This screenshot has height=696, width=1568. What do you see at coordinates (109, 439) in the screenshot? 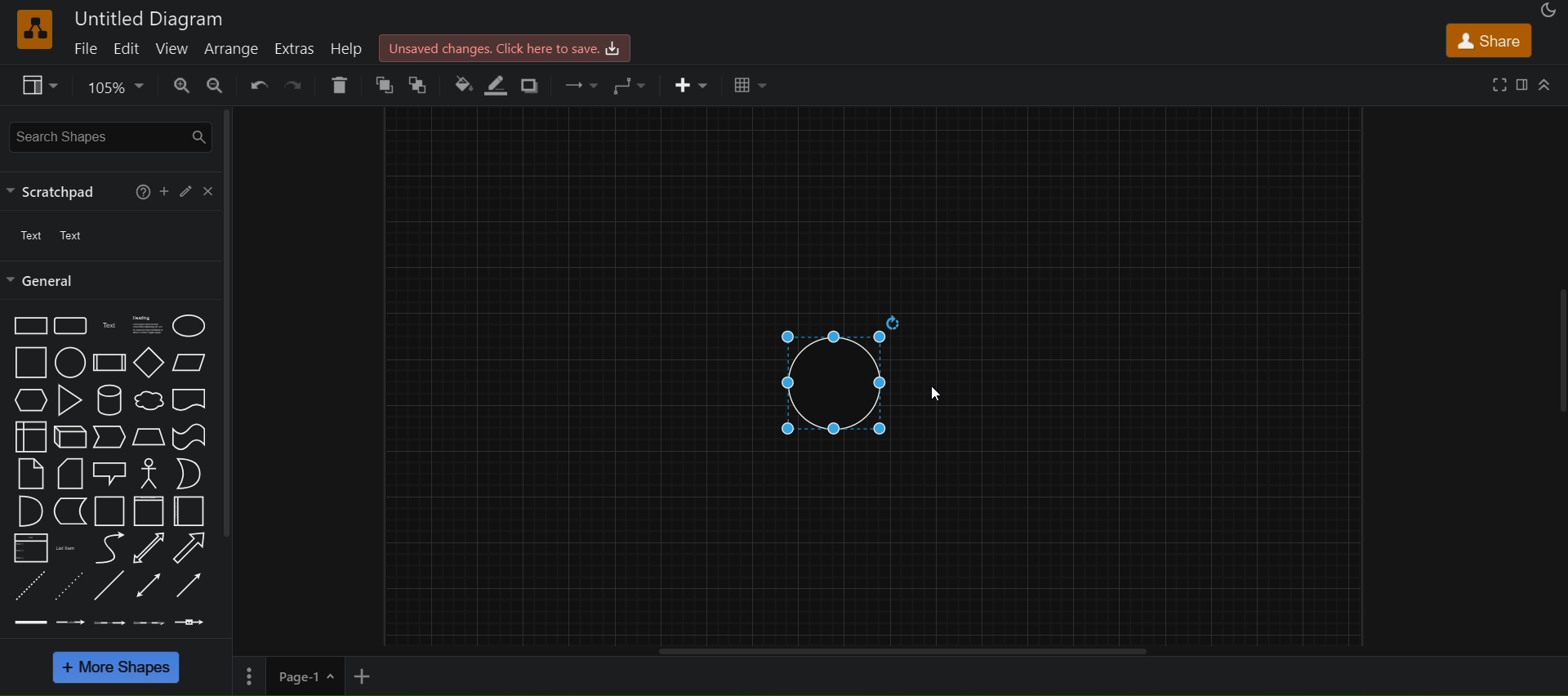
I see `steps` at bounding box center [109, 439].